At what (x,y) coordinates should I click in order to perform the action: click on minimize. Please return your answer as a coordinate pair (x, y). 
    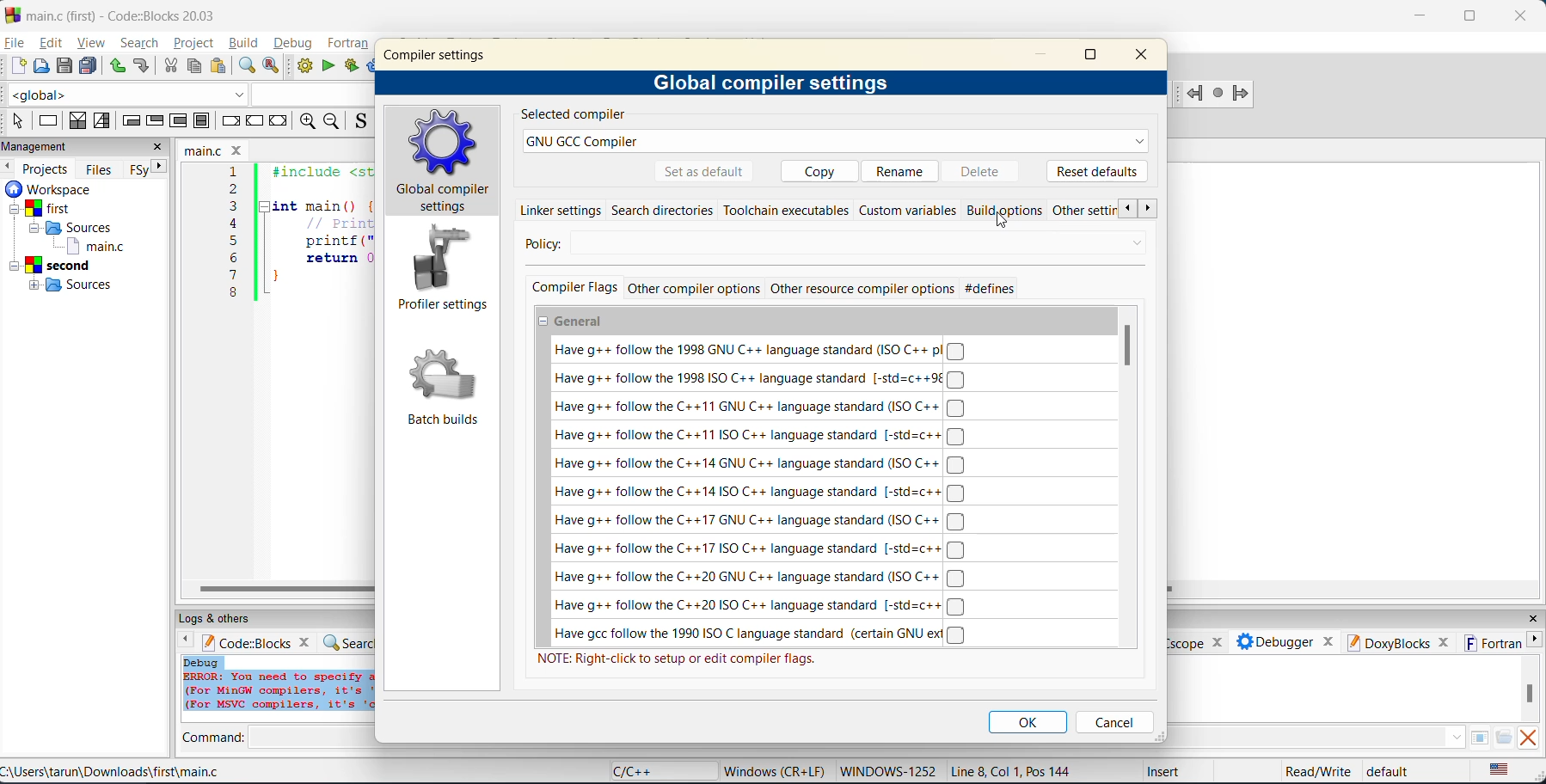
    Looking at the image, I should click on (1047, 55).